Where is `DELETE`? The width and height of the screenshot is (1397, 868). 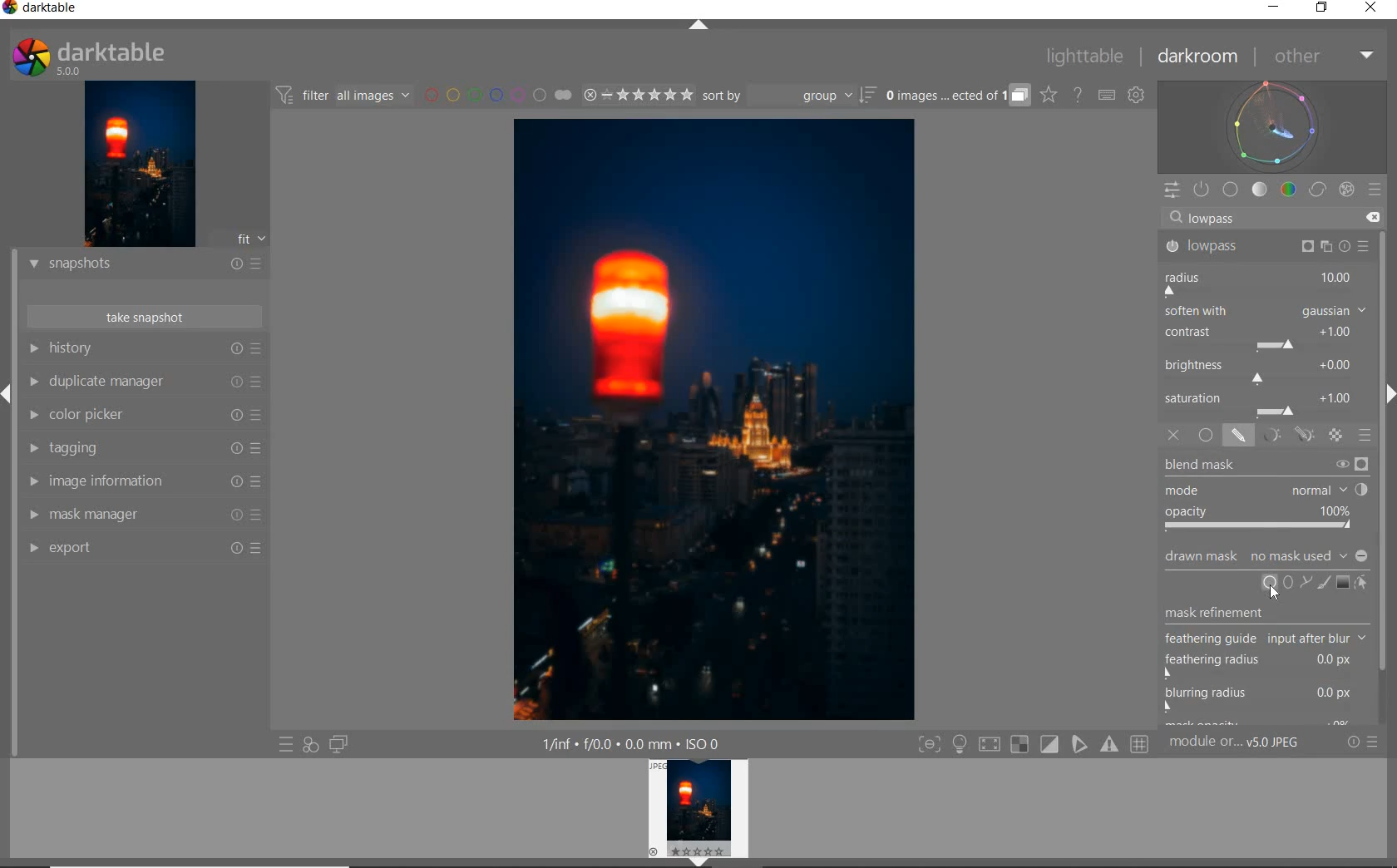
DELETE is located at coordinates (1375, 219).